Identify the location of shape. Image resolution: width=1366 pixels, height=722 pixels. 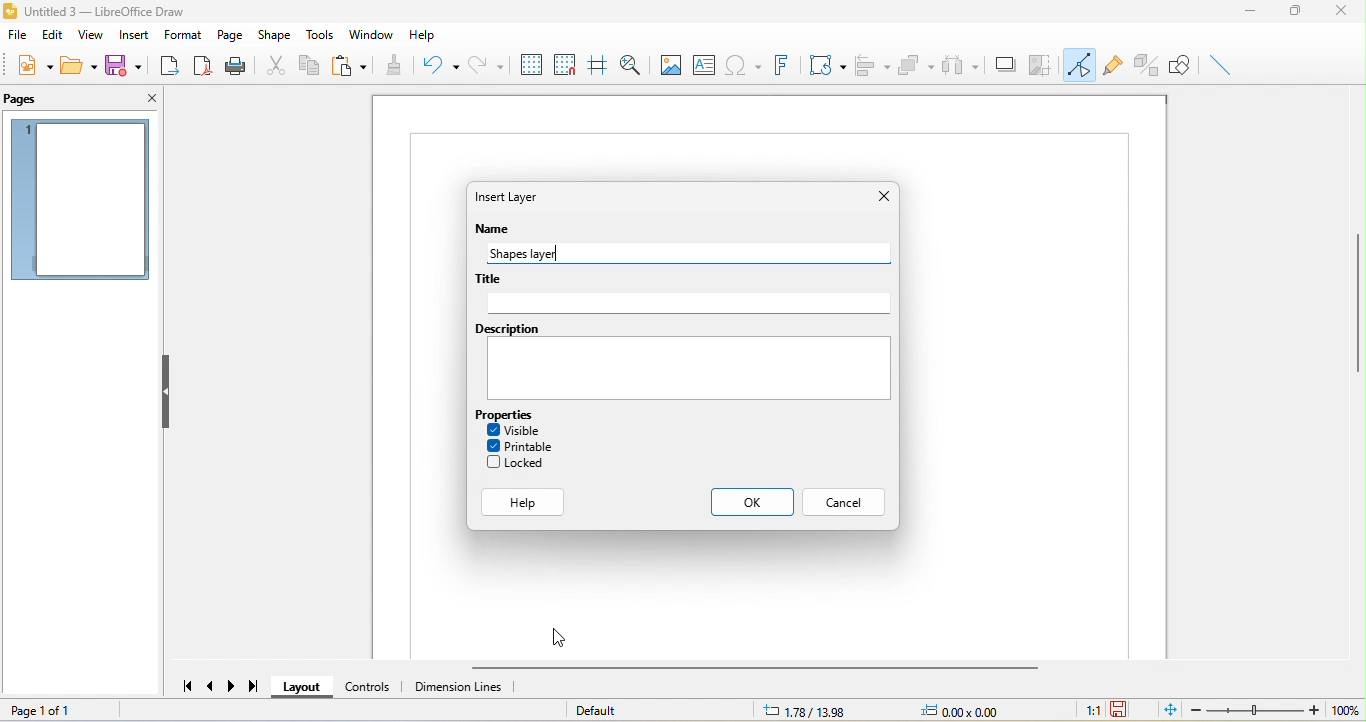
(274, 35).